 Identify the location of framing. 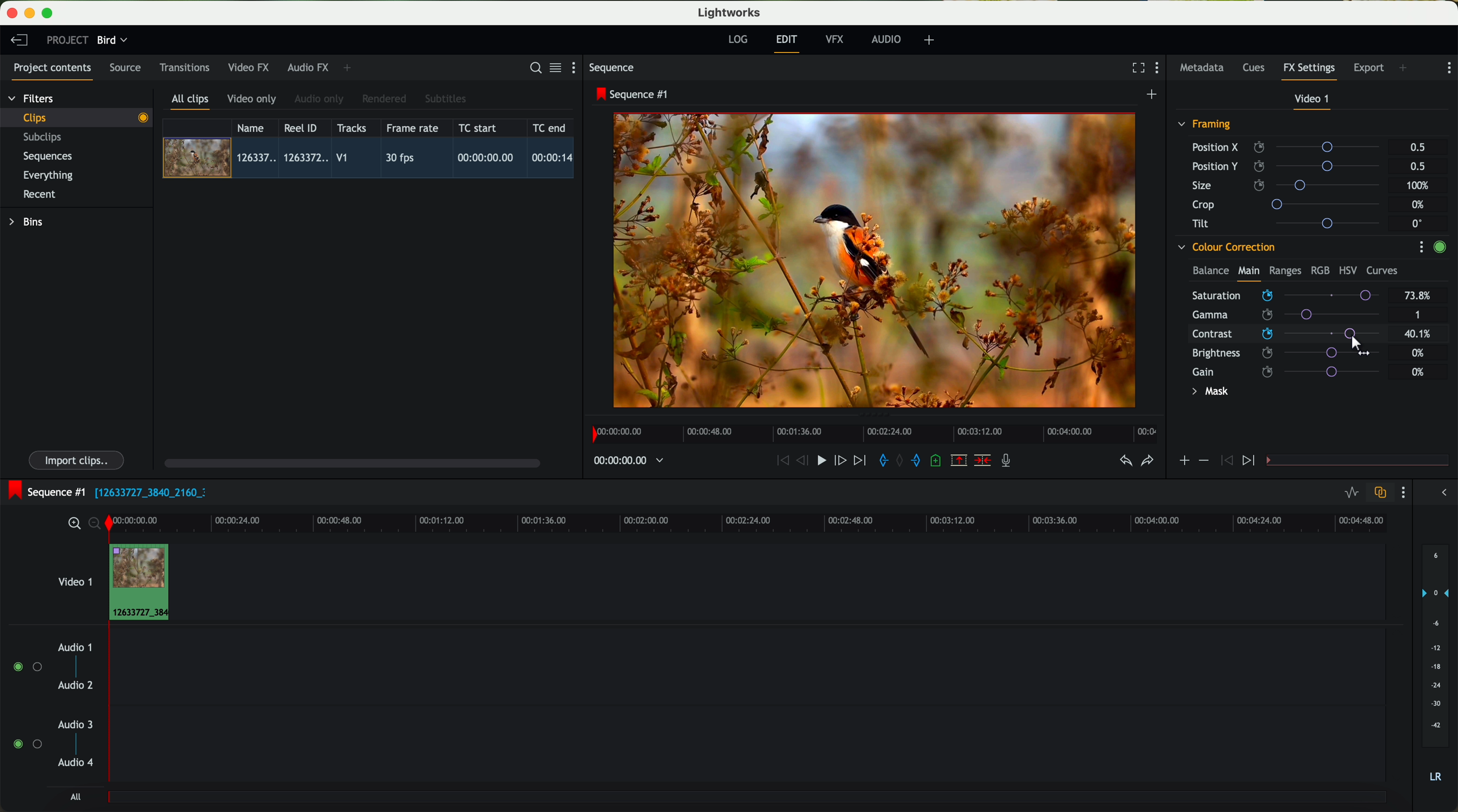
(1205, 126).